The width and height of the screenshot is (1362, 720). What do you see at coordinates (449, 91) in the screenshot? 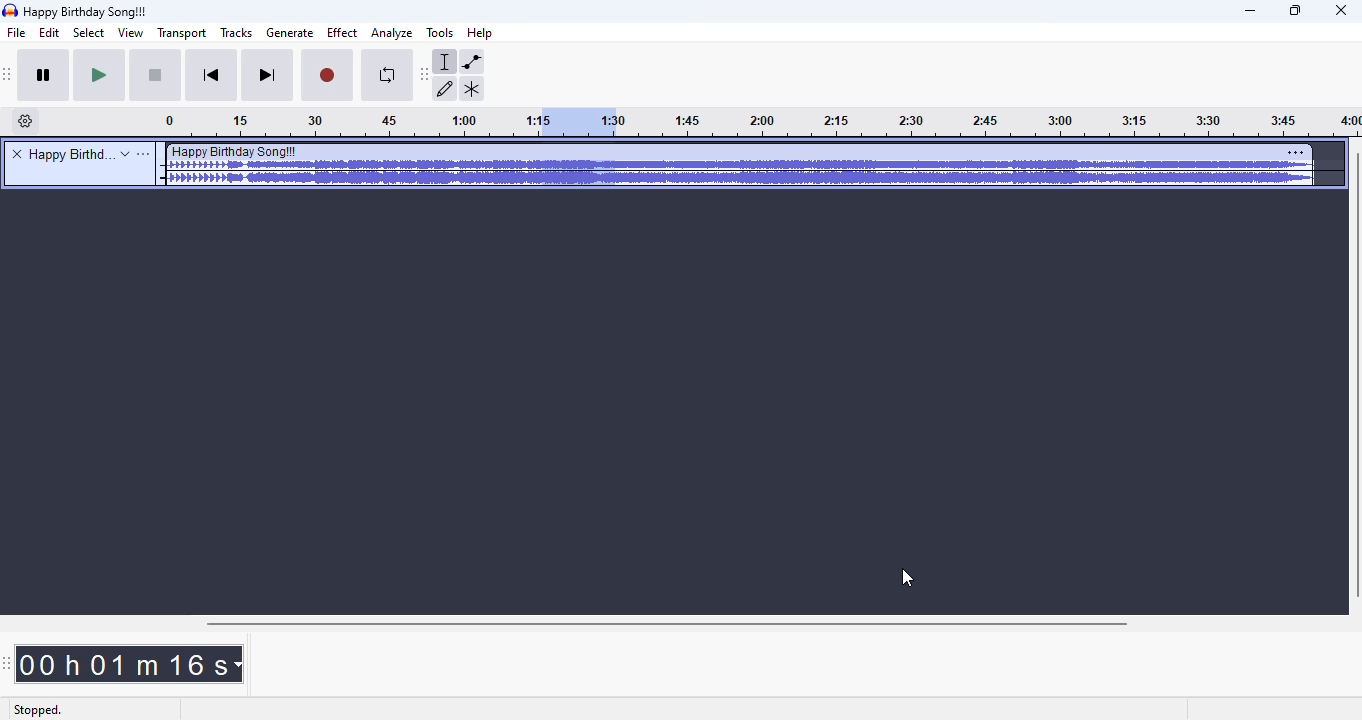
I see `draw tool` at bounding box center [449, 91].